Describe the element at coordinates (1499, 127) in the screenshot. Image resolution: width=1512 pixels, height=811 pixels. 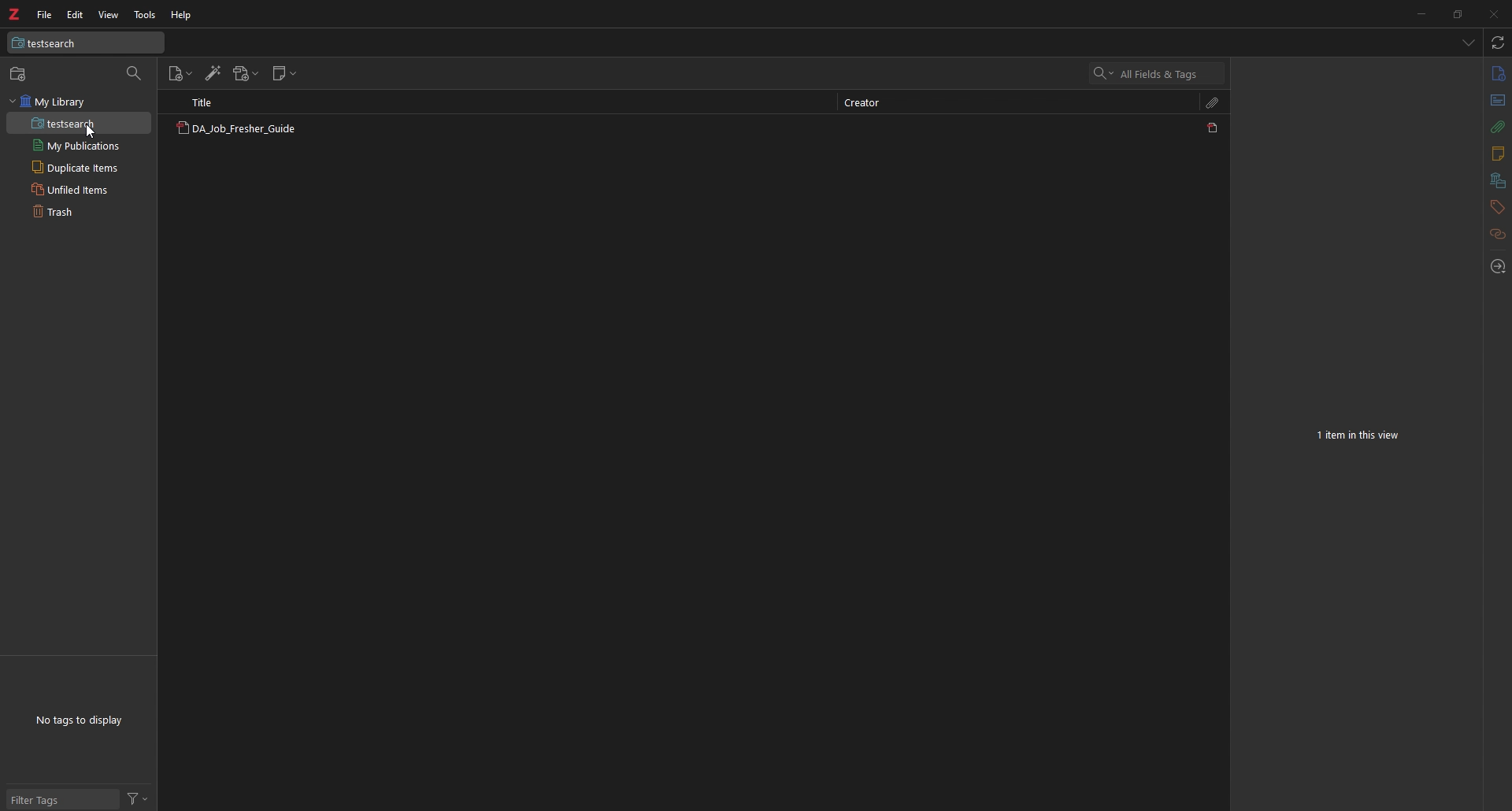
I see `attachment` at that location.